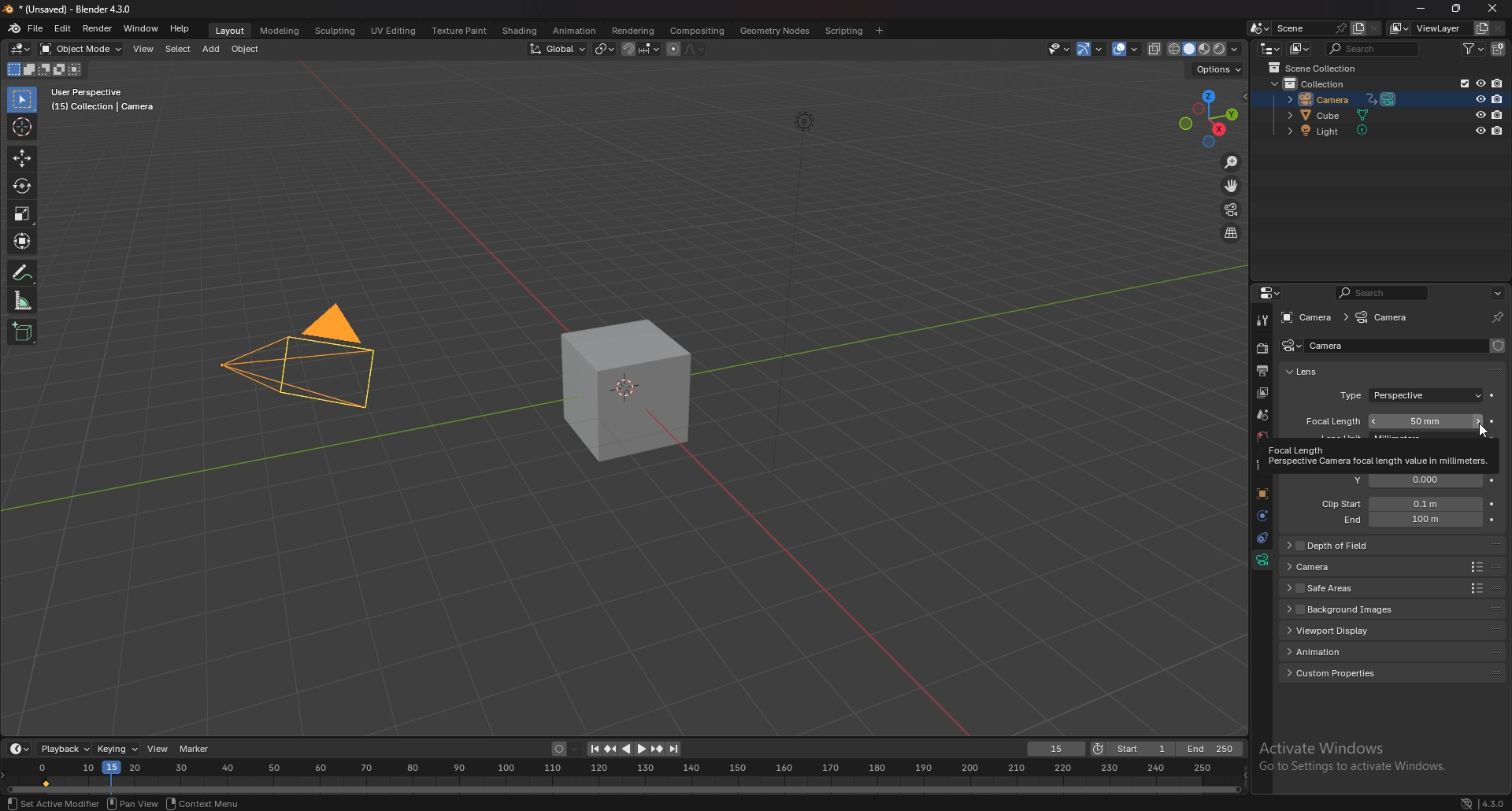 This screenshot has width=1512, height=811. I want to click on blender, so click(16, 28).